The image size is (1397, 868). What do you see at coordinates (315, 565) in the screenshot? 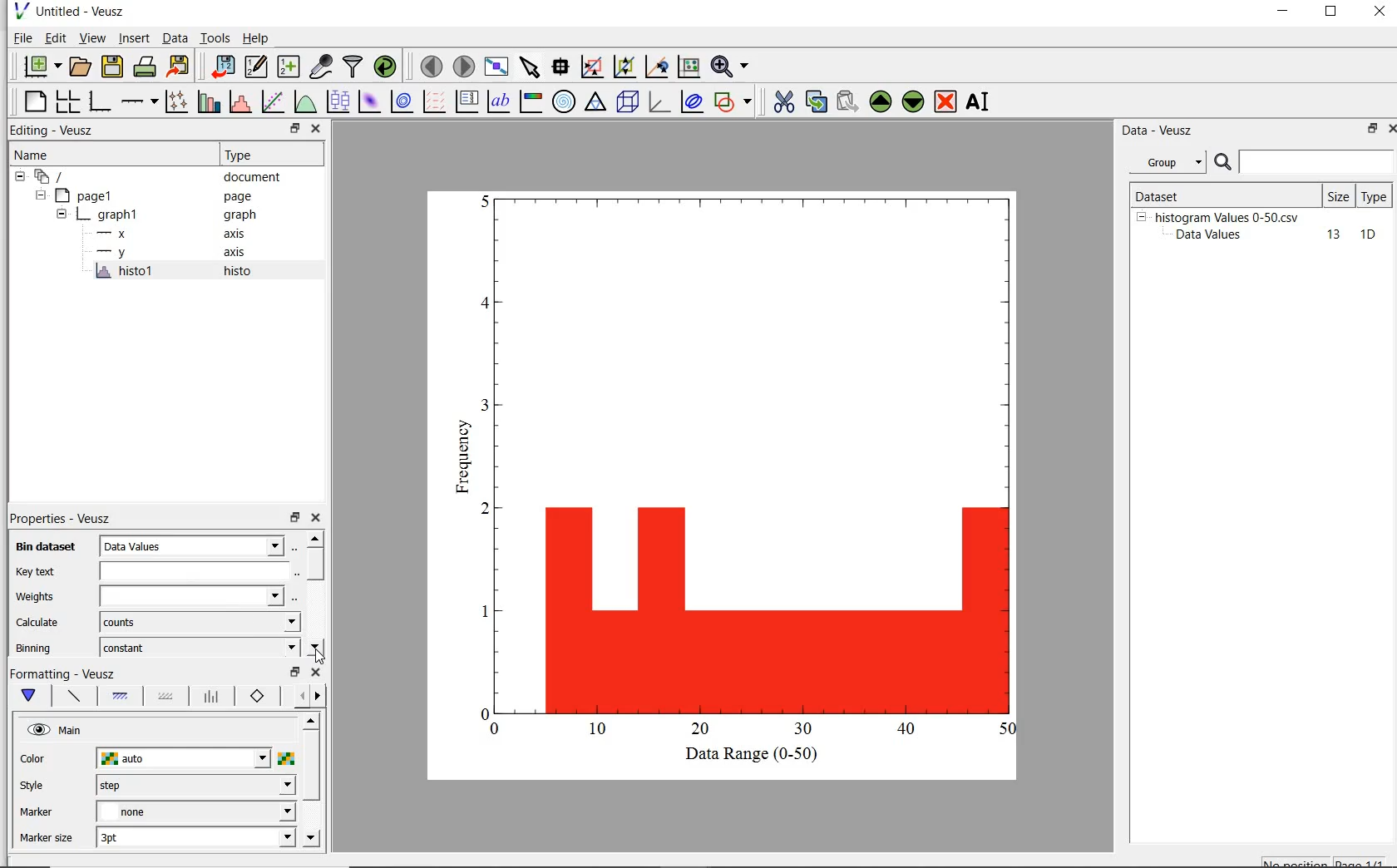
I see `vertical scrollbar` at bounding box center [315, 565].